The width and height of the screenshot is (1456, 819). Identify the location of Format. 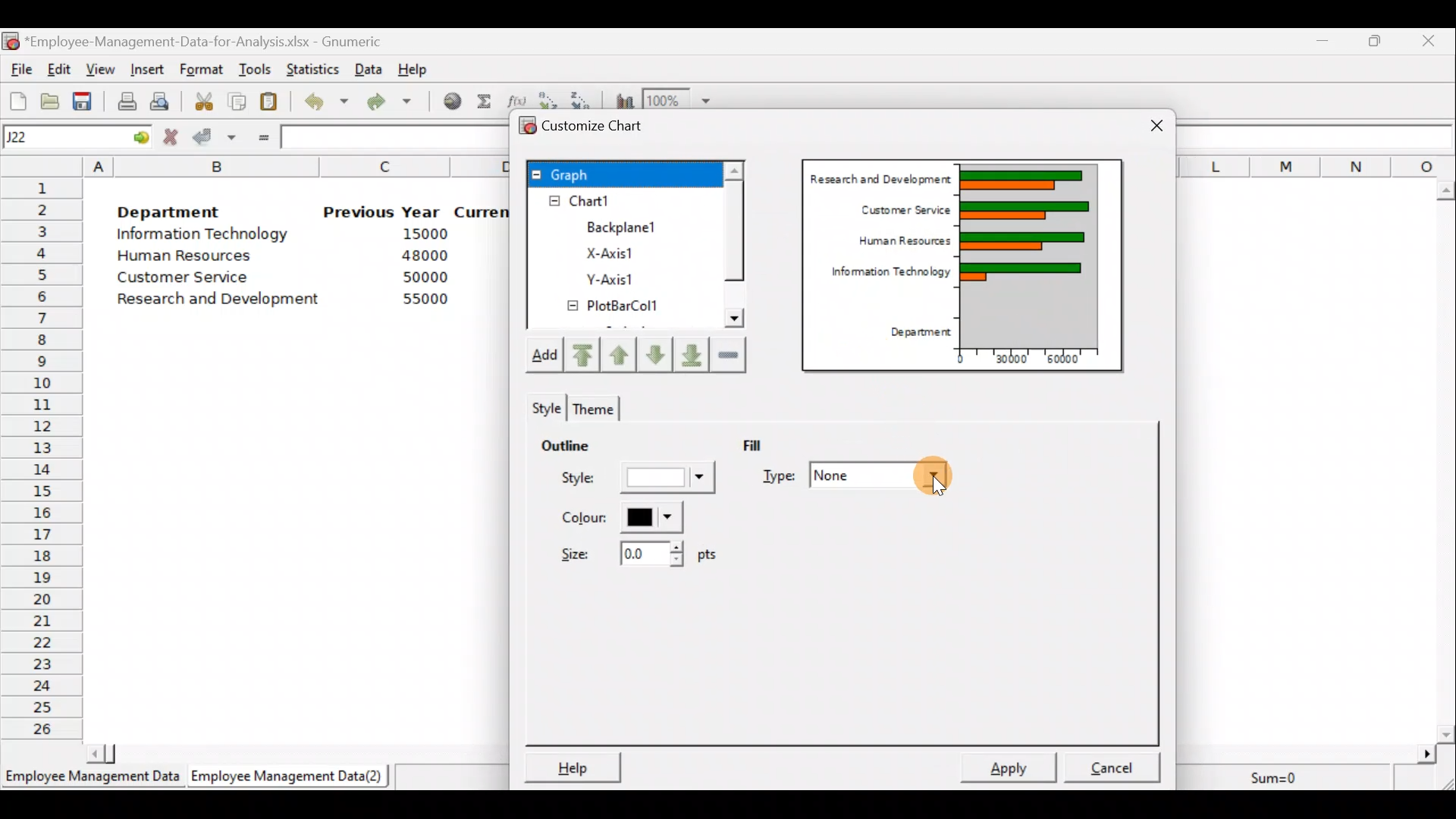
(203, 67).